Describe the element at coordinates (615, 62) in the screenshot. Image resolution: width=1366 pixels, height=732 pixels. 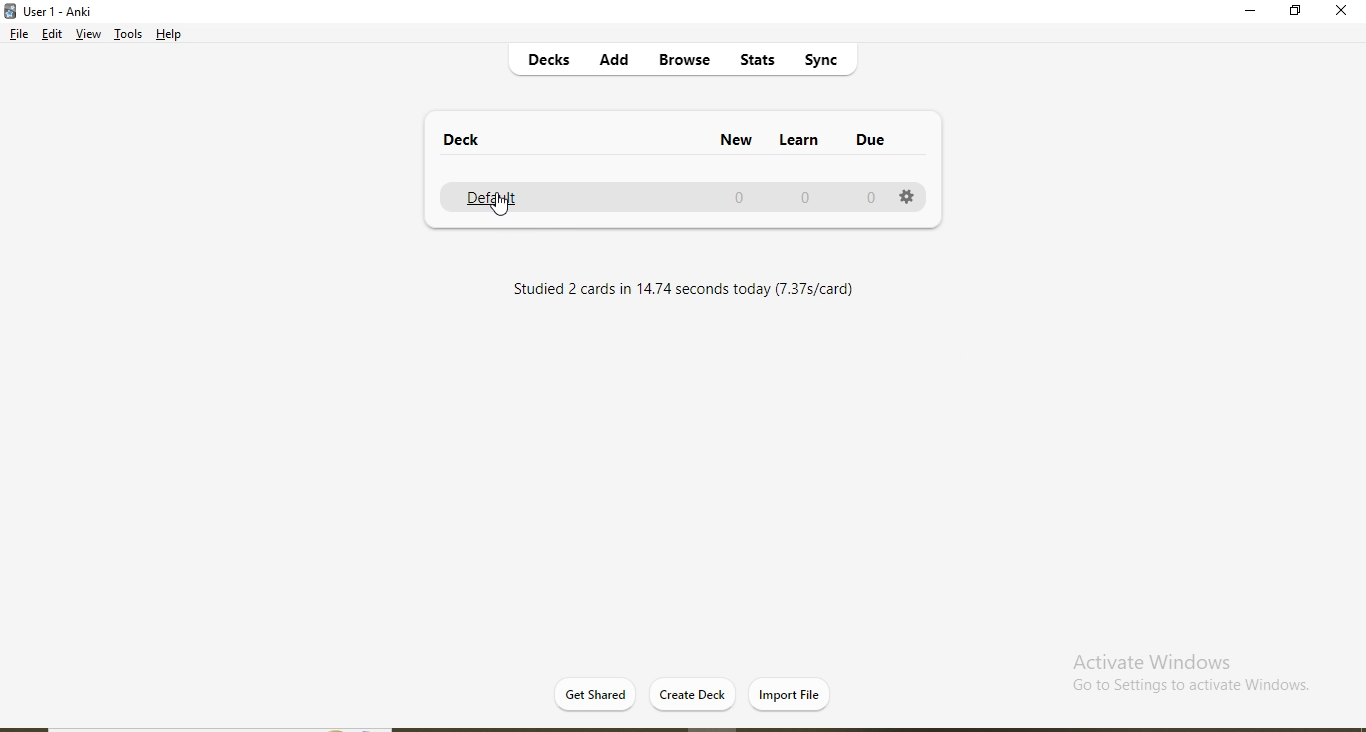
I see `add` at that location.